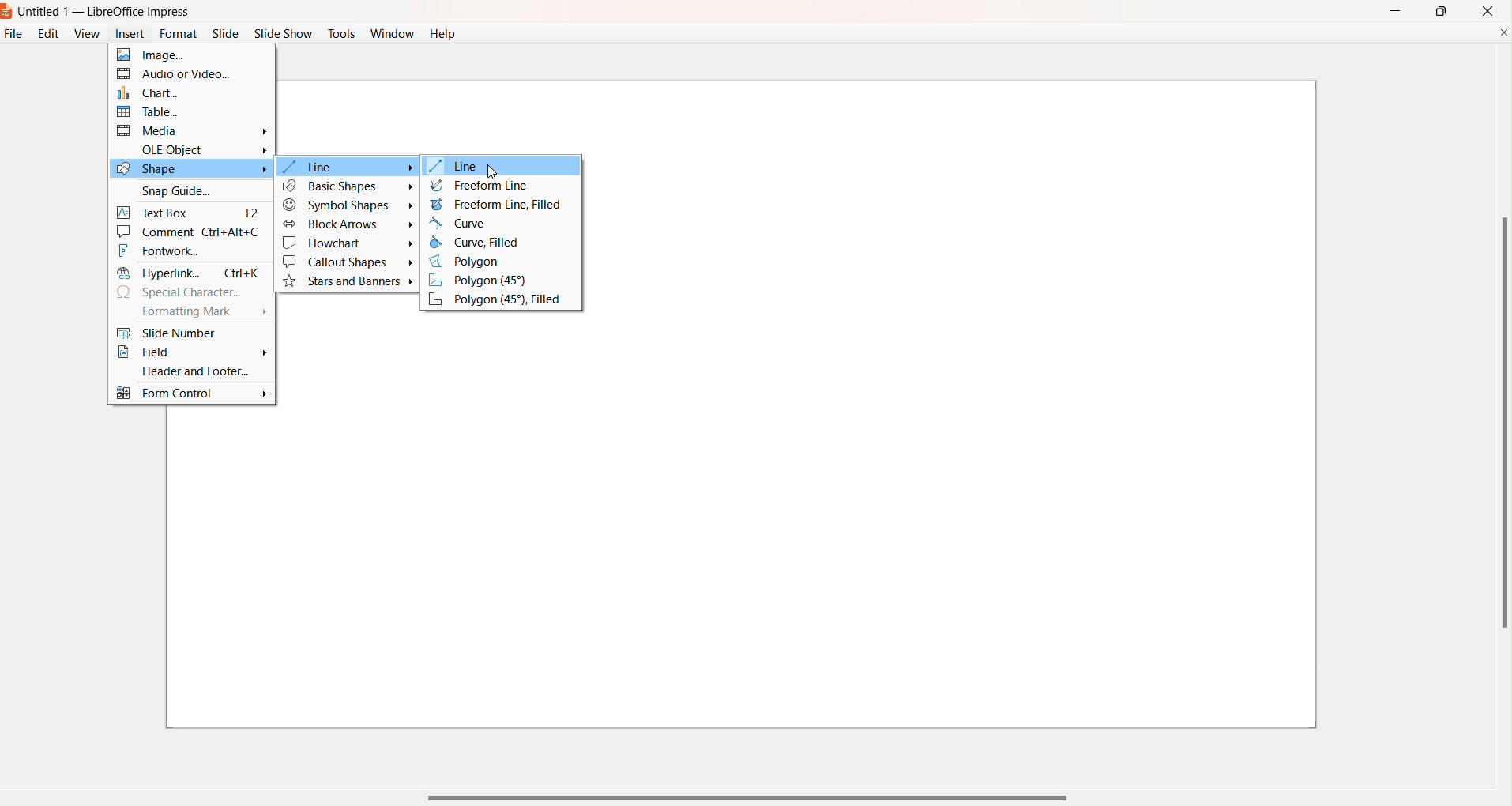 The width and height of the screenshot is (1512, 806). What do you see at coordinates (348, 243) in the screenshot?
I see `Flowchart` at bounding box center [348, 243].